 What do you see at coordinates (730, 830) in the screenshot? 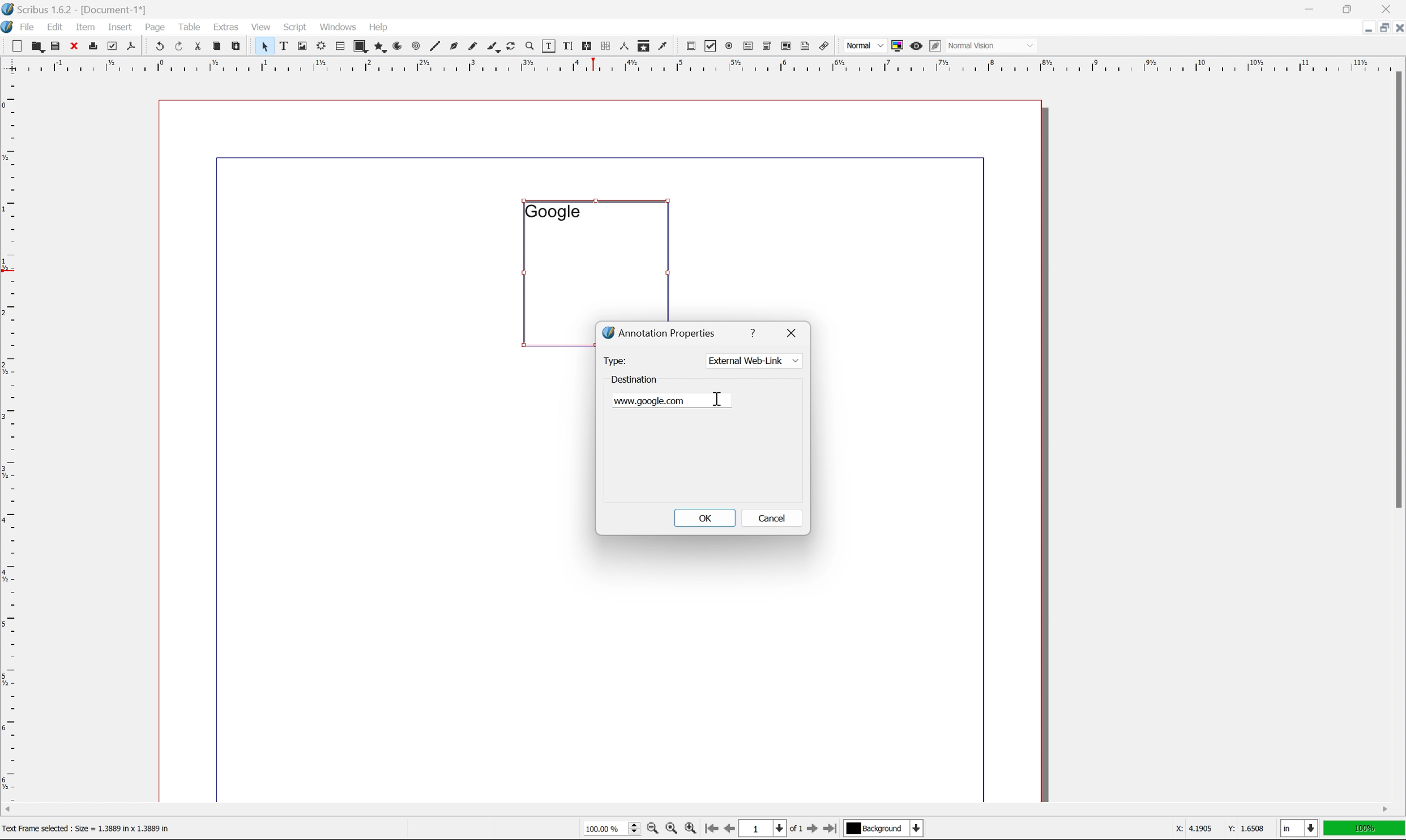
I see `go to previous page` at bounding box center [730, 830].